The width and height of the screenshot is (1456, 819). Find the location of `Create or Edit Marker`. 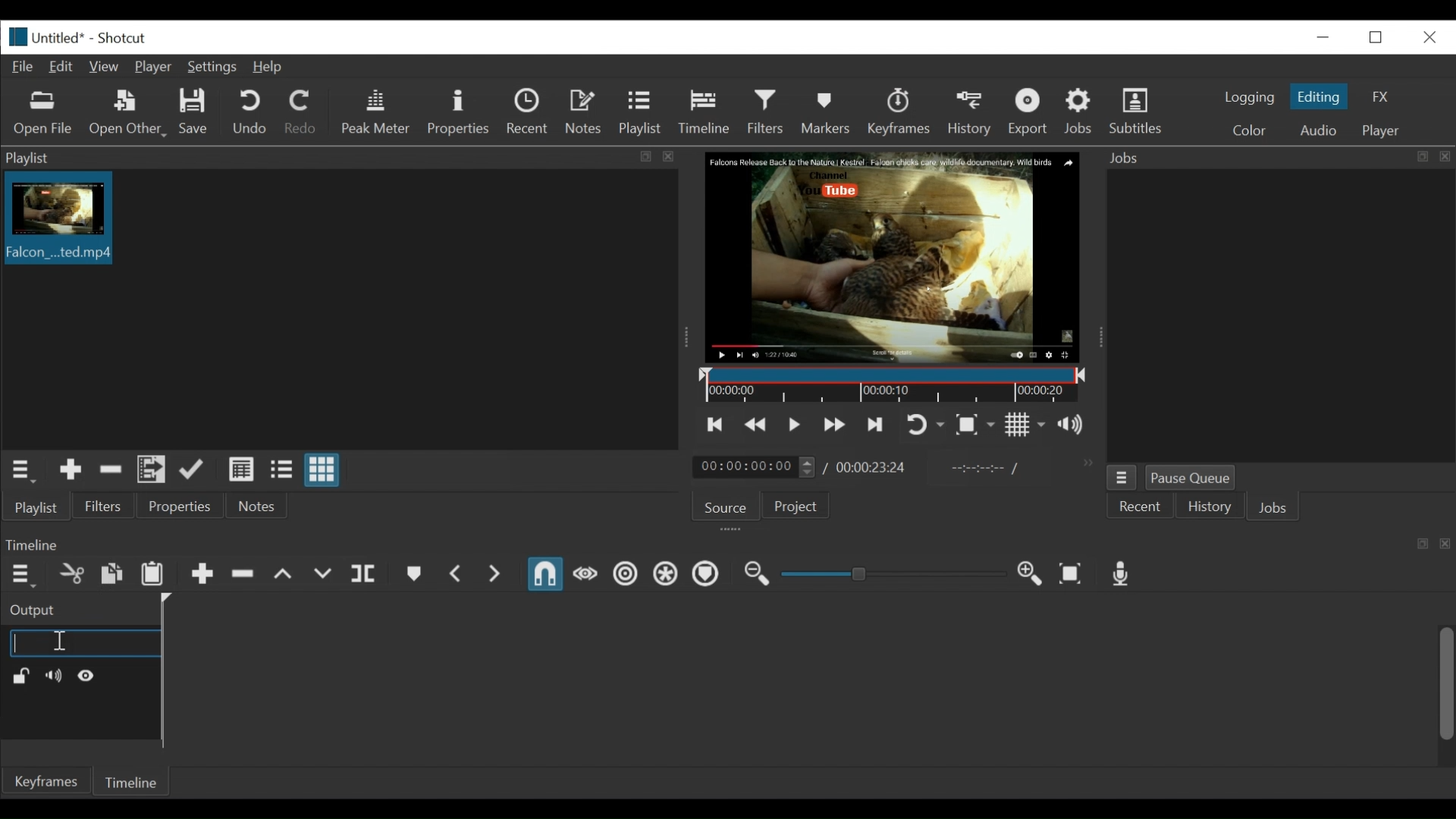

Create or Edit Marker is located at coordinates (413, 574).